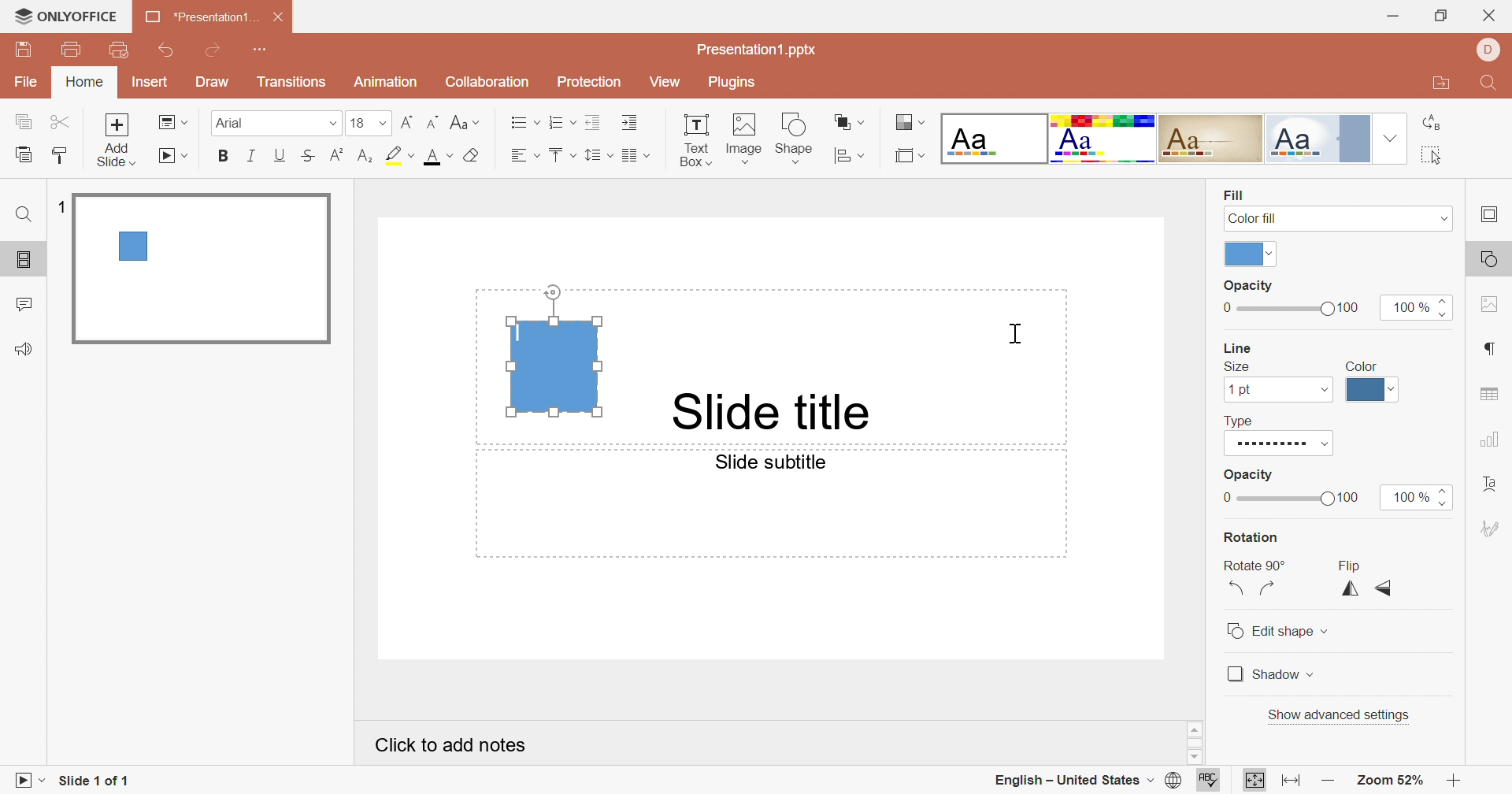 The height and width of the screenshot is (794, 1512). Describe the element at coordinates (1490, 307) in the screenshot. I see `Image settings` at that location.